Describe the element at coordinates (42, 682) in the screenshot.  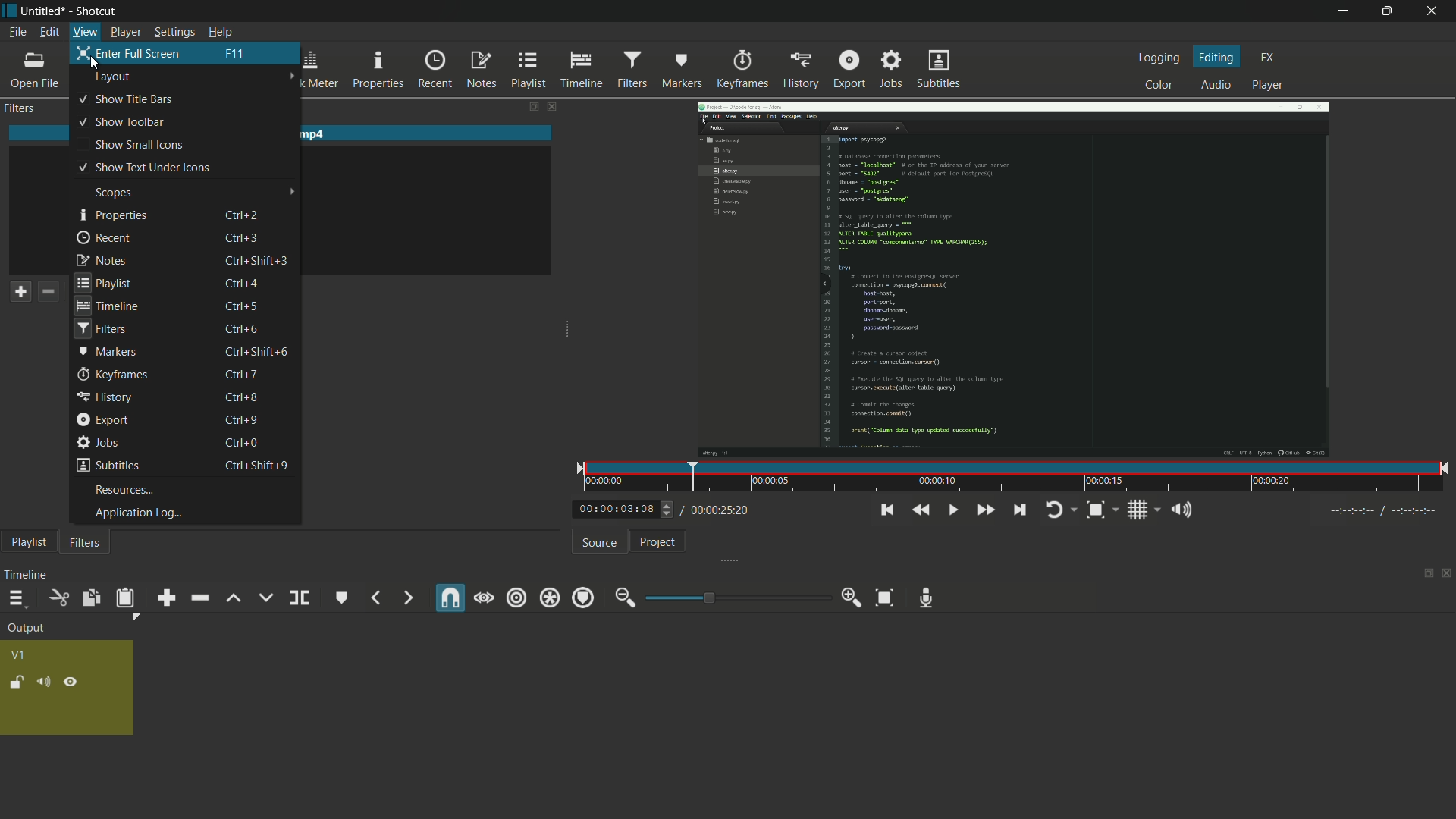
I see `volume` at that location.